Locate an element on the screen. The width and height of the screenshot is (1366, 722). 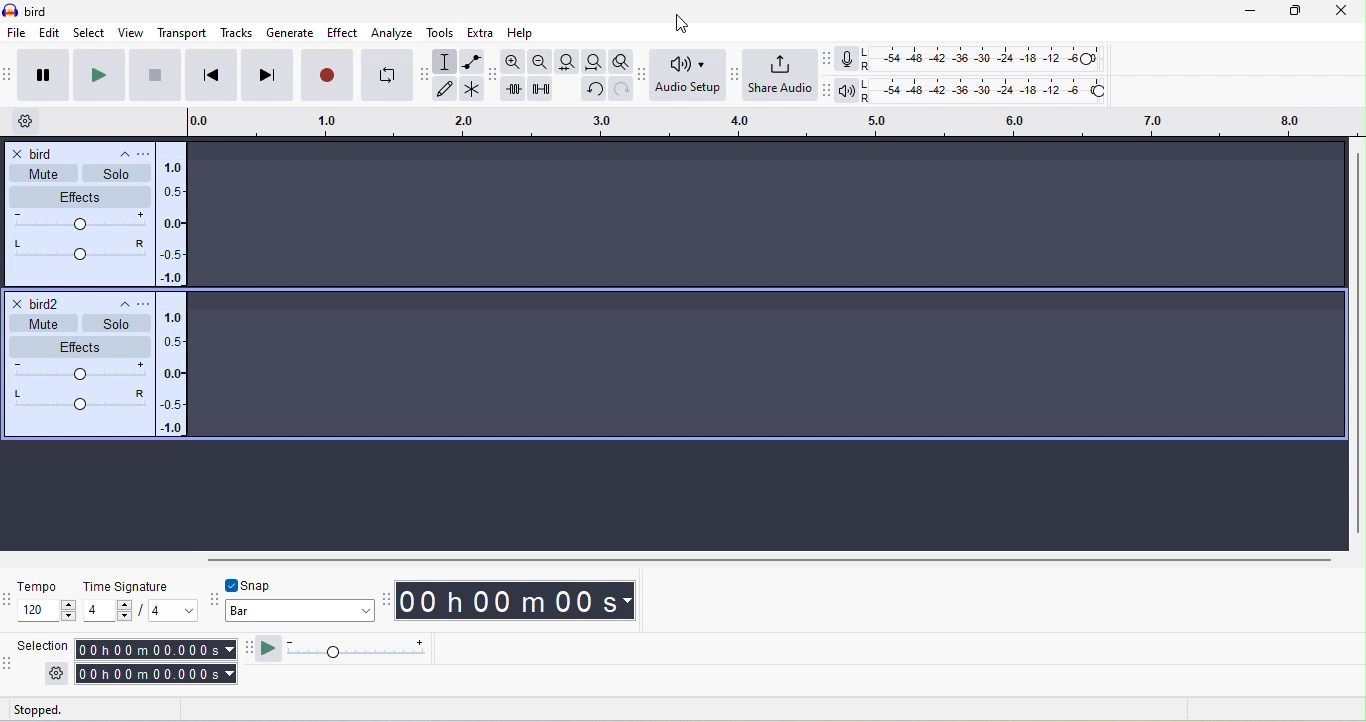
audacity audio setup toolbar is located at coordinates (642, 73).